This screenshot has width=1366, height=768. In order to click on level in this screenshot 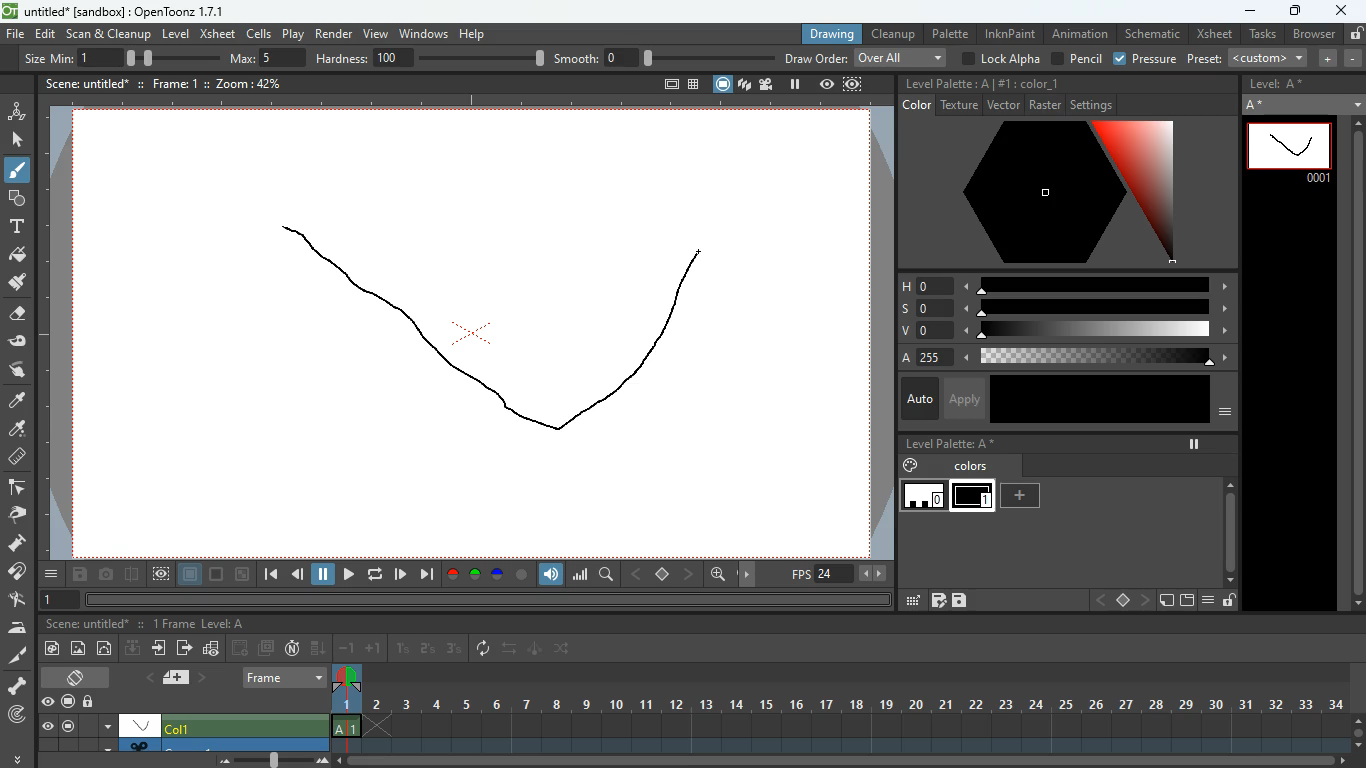, I will do `click(175, 34)`.